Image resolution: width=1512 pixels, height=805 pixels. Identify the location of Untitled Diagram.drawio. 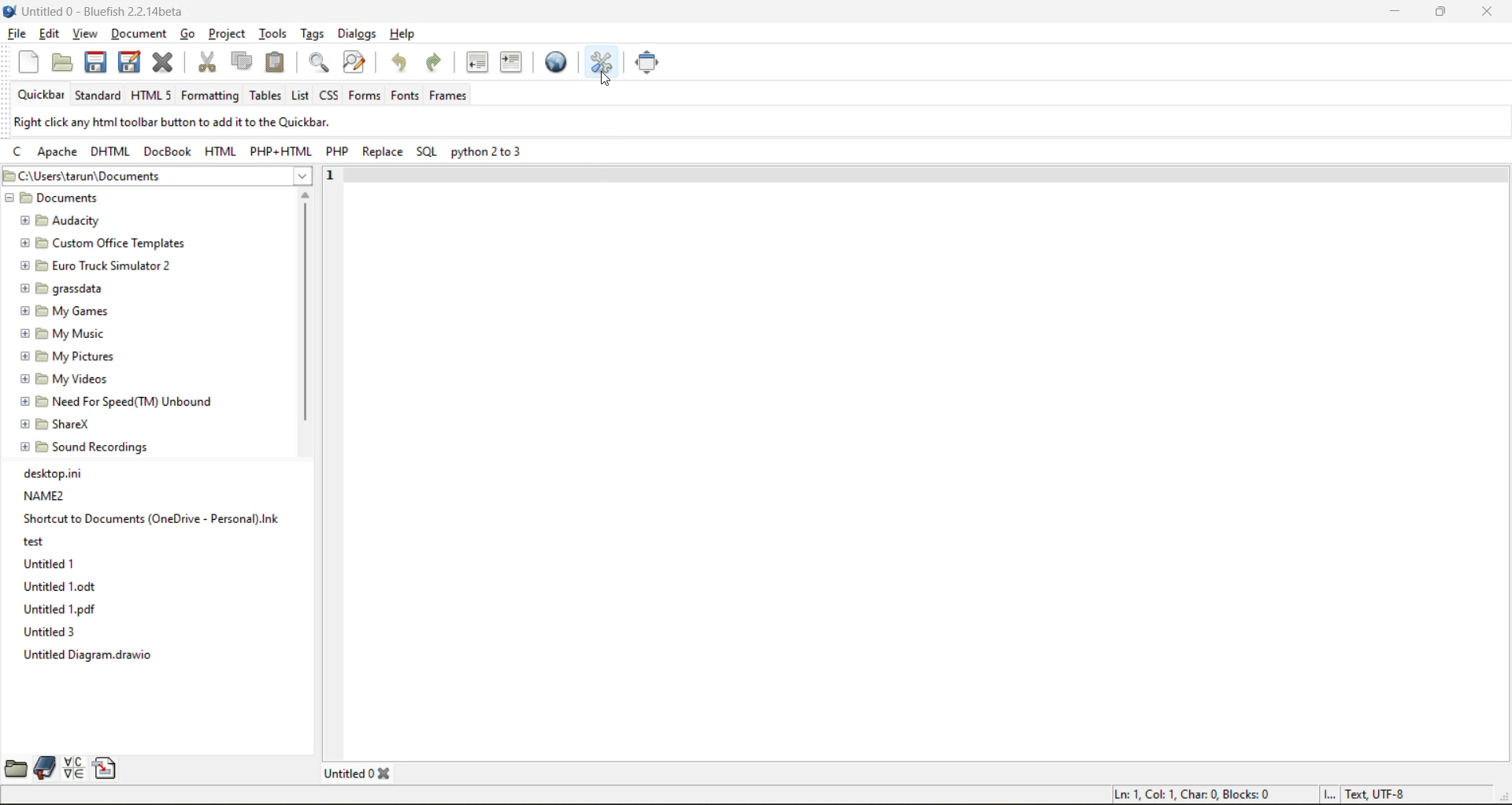
(94, 657).